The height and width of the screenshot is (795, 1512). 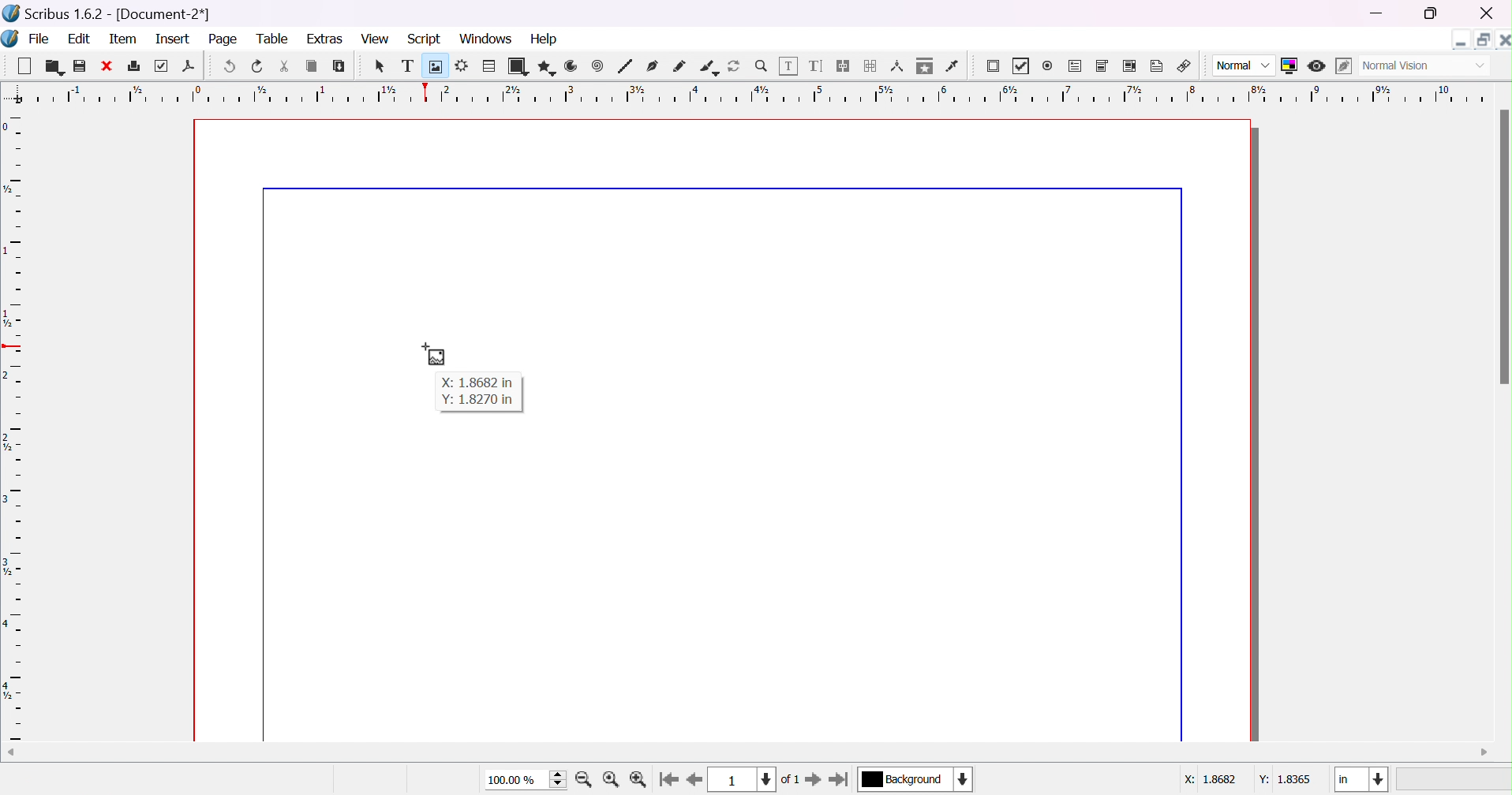 What do you see at coordinates (9, 751) in the screenshot?
I see `scroll left` at bounding box center [9, 751].